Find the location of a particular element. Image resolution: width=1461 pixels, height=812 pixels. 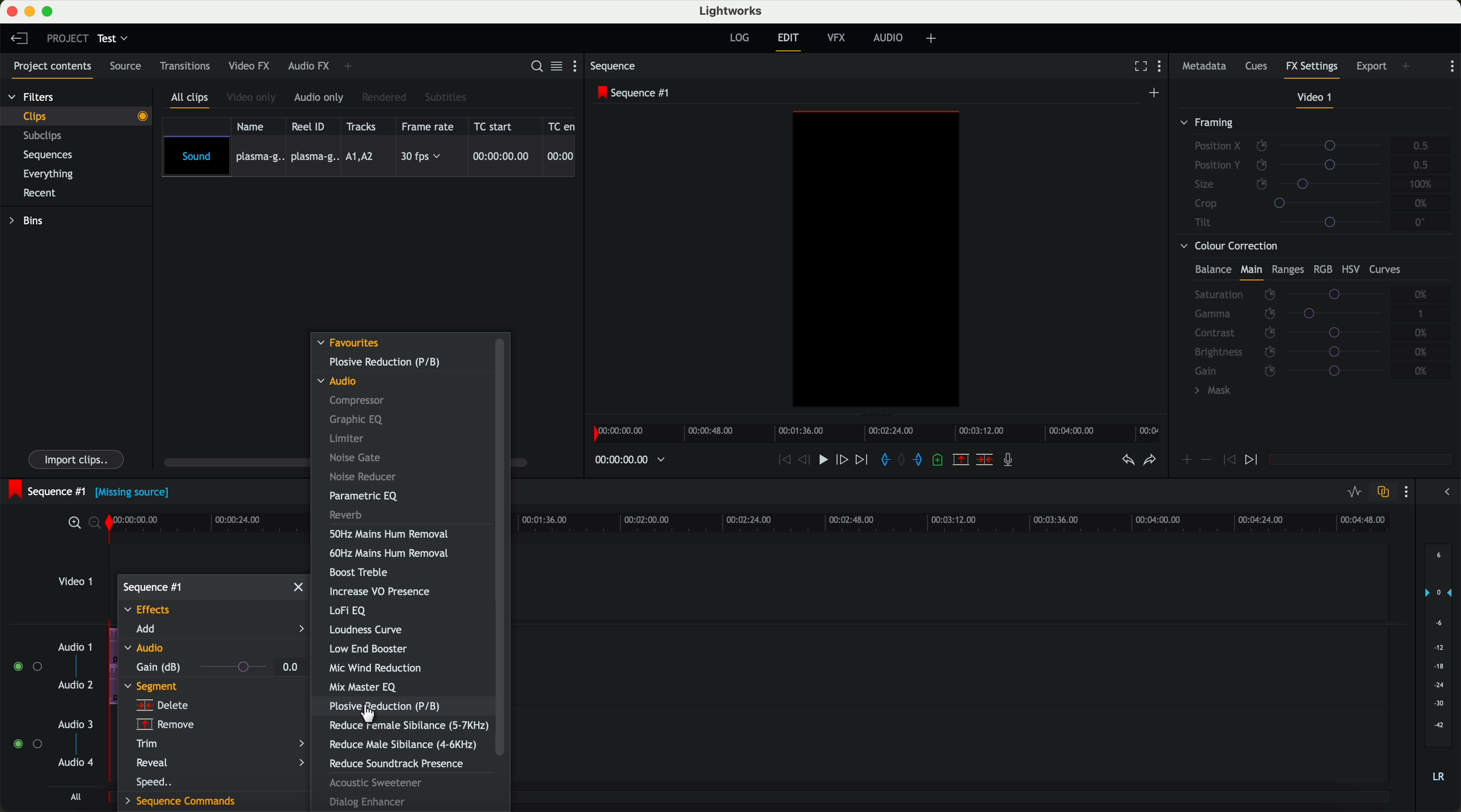

sequence commands is located at coordinates (183, 800).